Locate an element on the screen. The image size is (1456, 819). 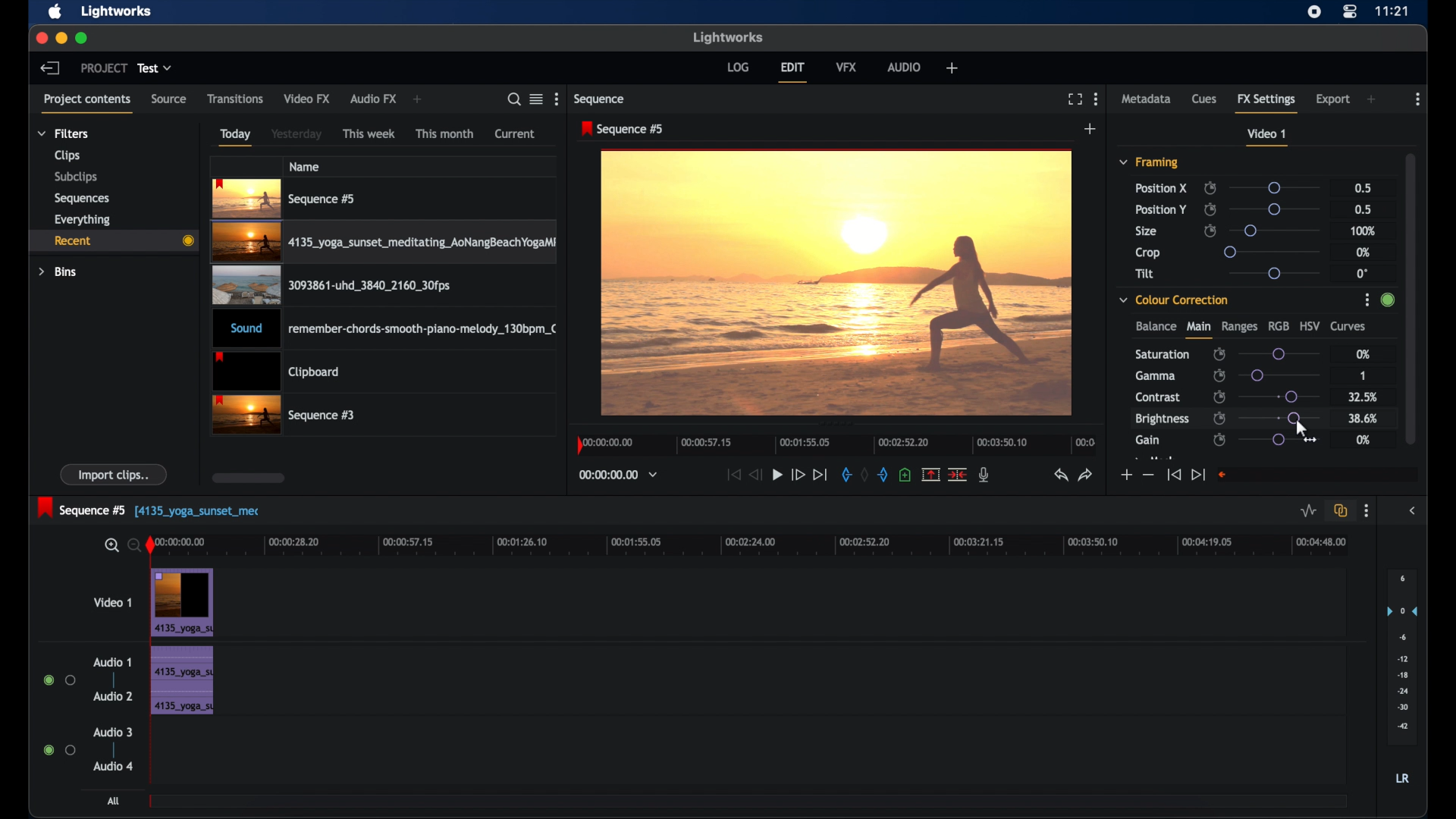
100% is located at coordinates (1363, 232).